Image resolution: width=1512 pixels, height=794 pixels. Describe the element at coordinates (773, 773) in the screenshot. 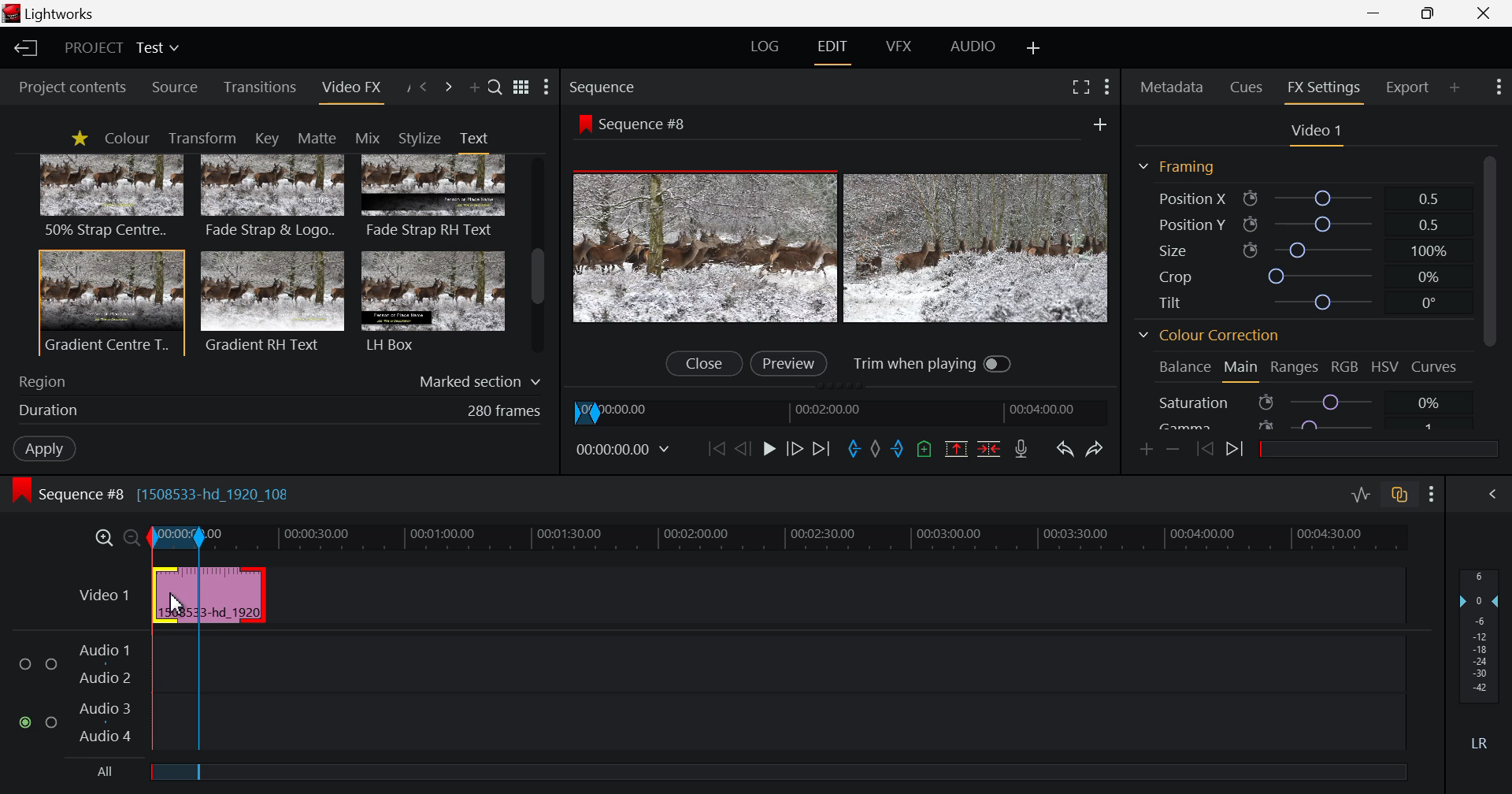

I see `All field` at that location.